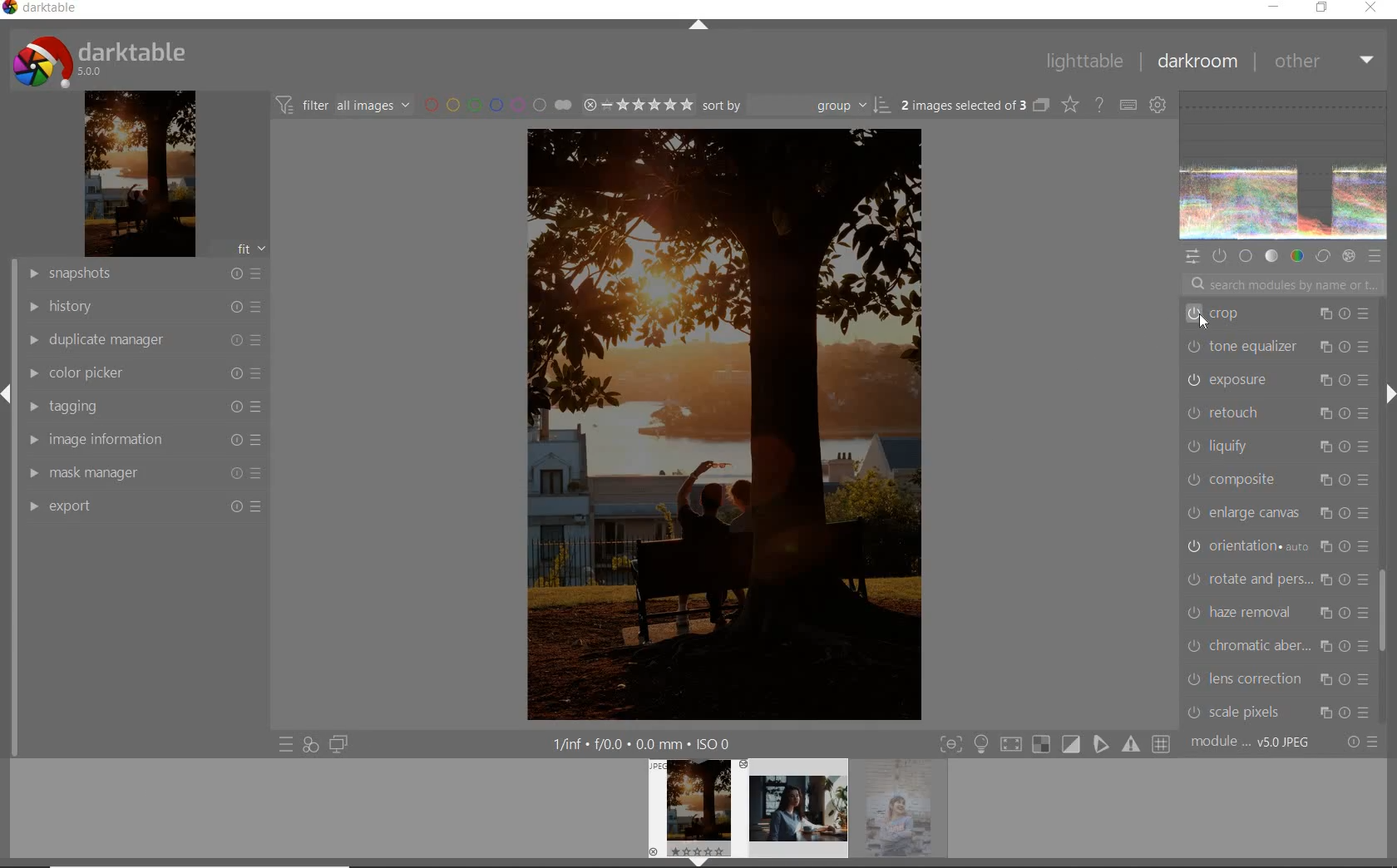 The width and height of the screenshot is (1397, 868). I want to click on vertical scroll bar, so click(8, 583).